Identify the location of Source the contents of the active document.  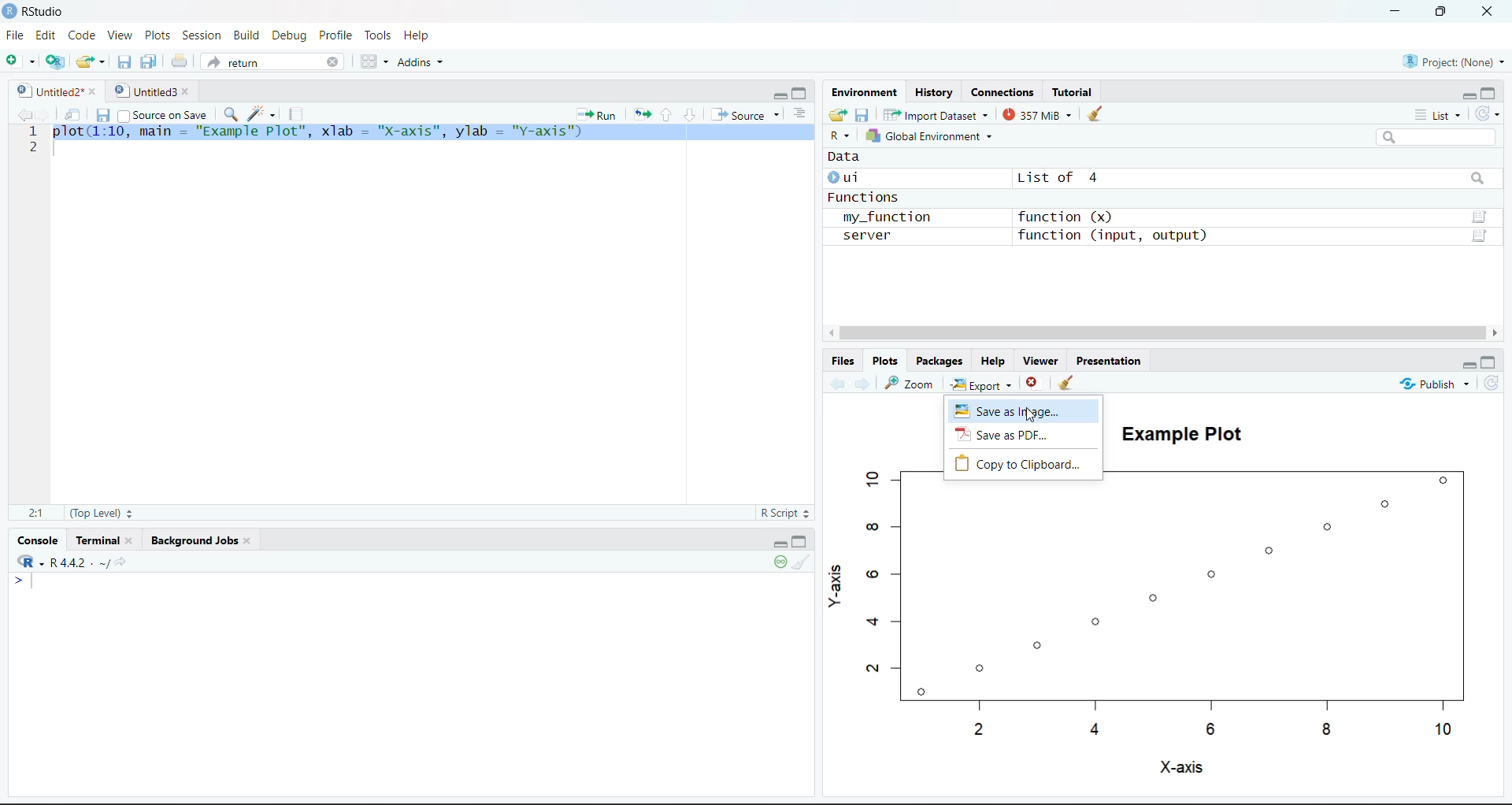
(742, 112).